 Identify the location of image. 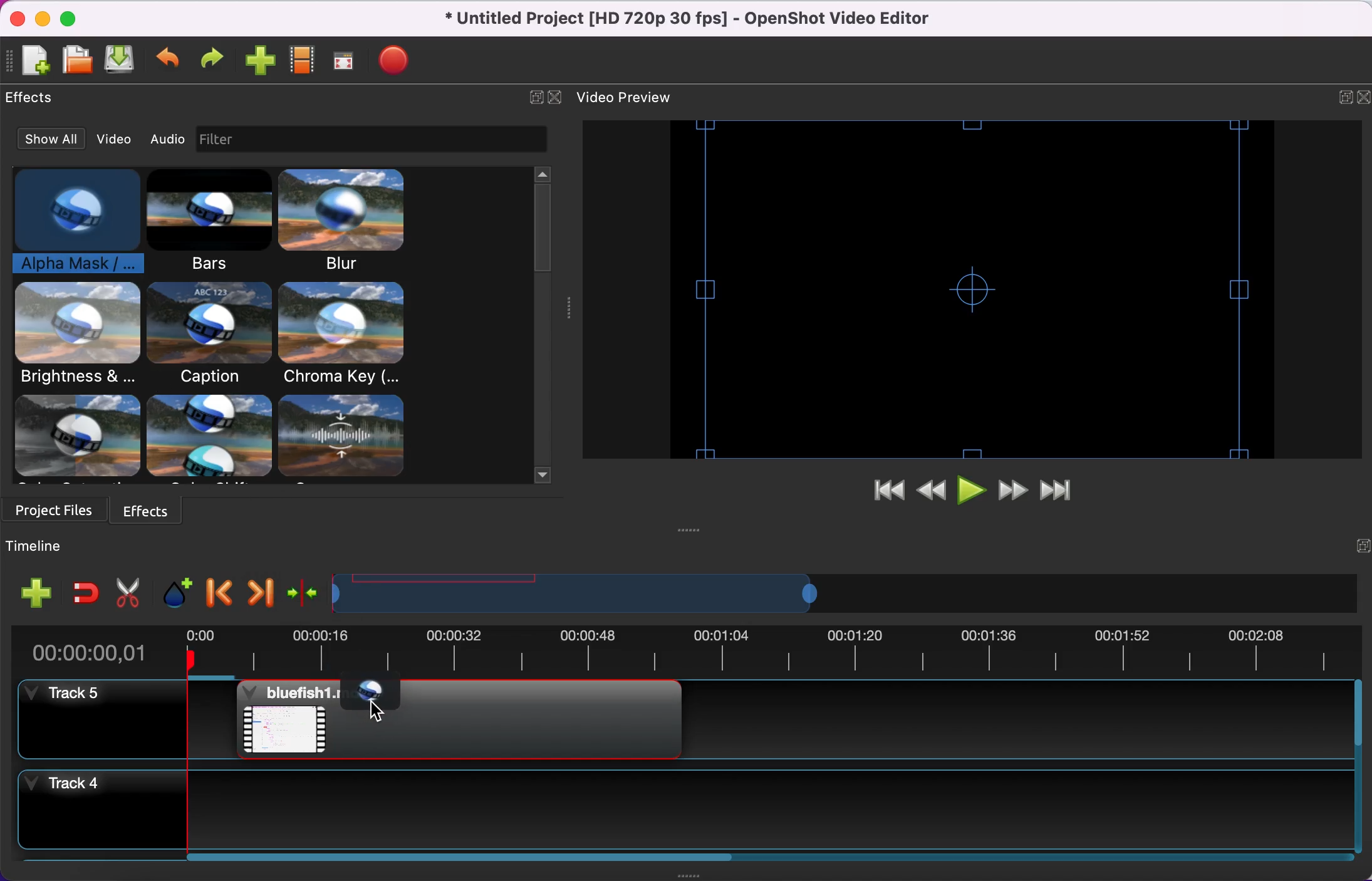
(221, 140).